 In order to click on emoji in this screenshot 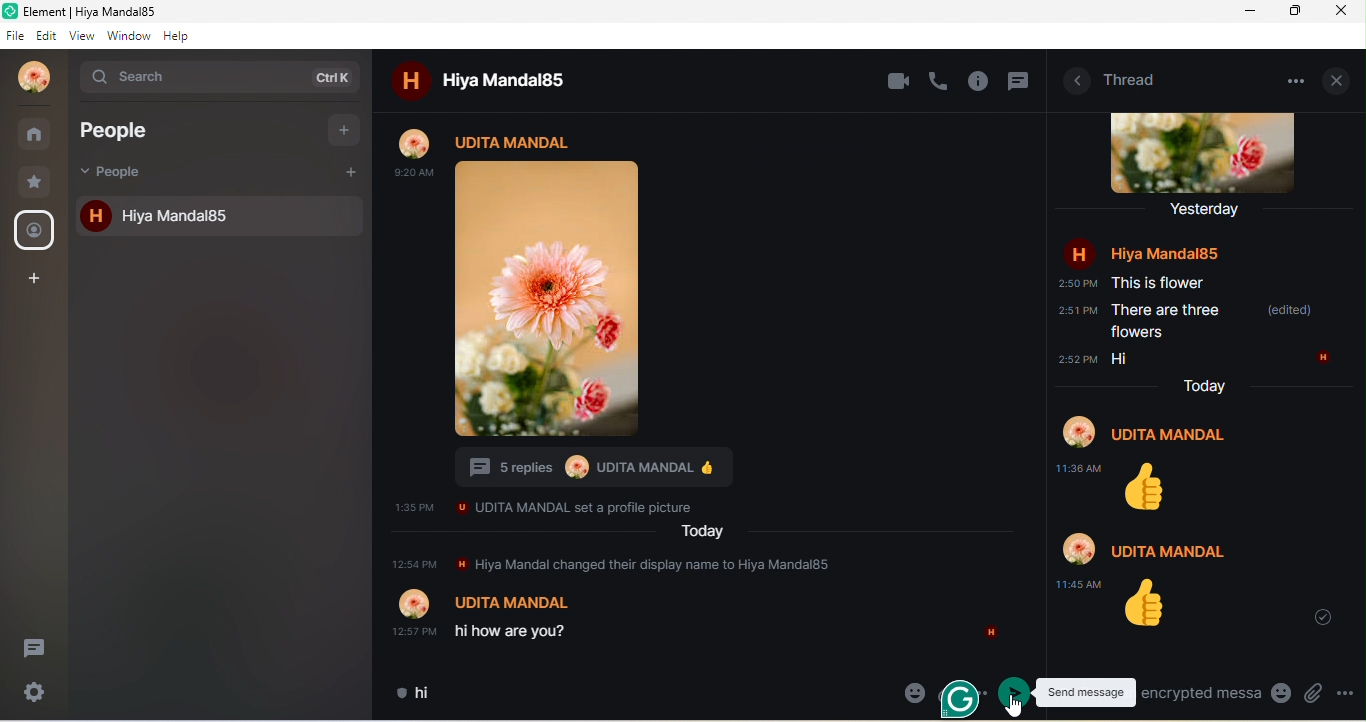, I will do `click(1280, 695)`.